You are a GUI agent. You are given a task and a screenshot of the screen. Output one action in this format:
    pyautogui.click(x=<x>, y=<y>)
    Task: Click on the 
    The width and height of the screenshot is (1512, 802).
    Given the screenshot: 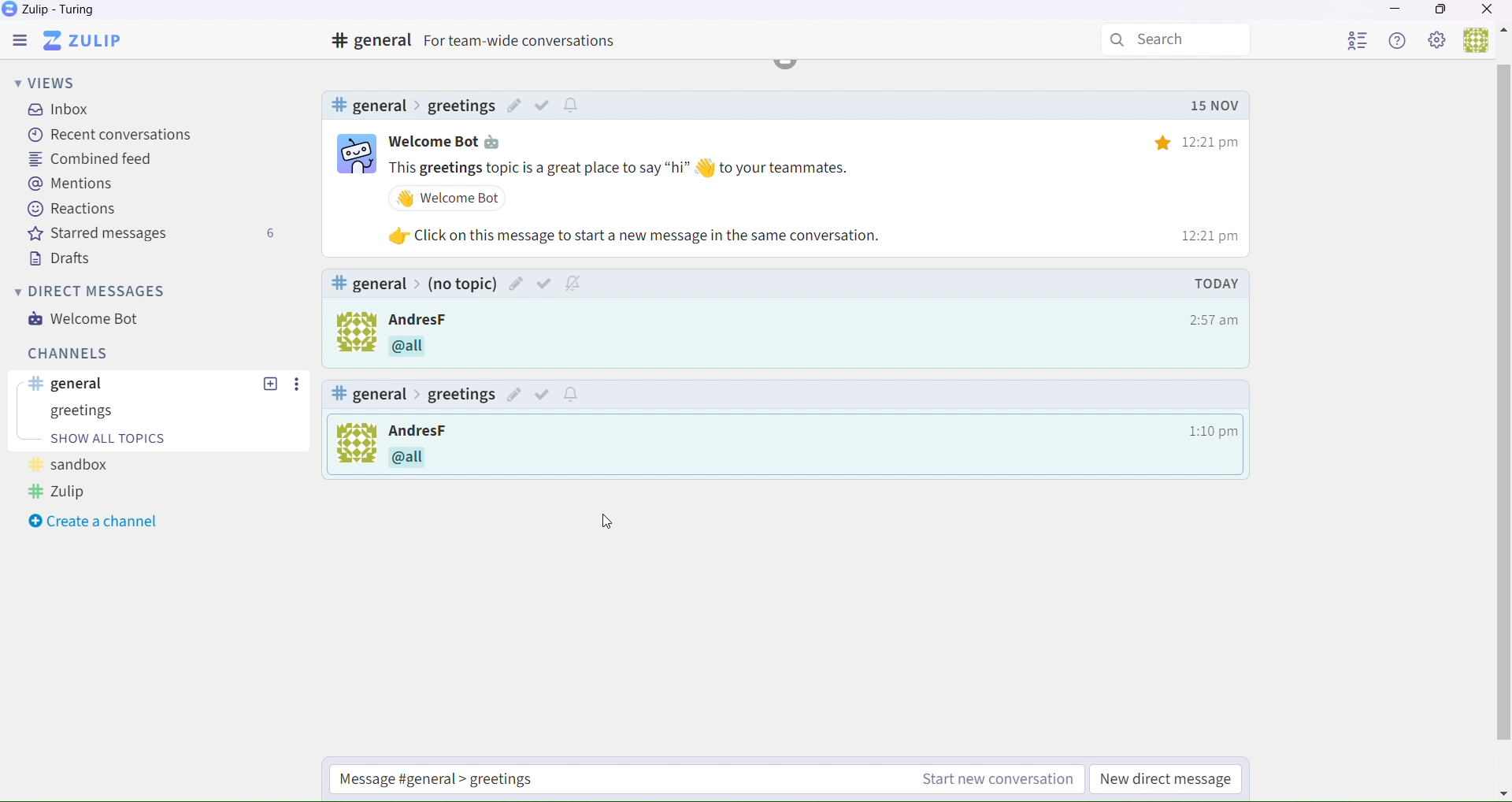 What is the action you would take?
    pyautogui.click(x=1503, y=32)
    